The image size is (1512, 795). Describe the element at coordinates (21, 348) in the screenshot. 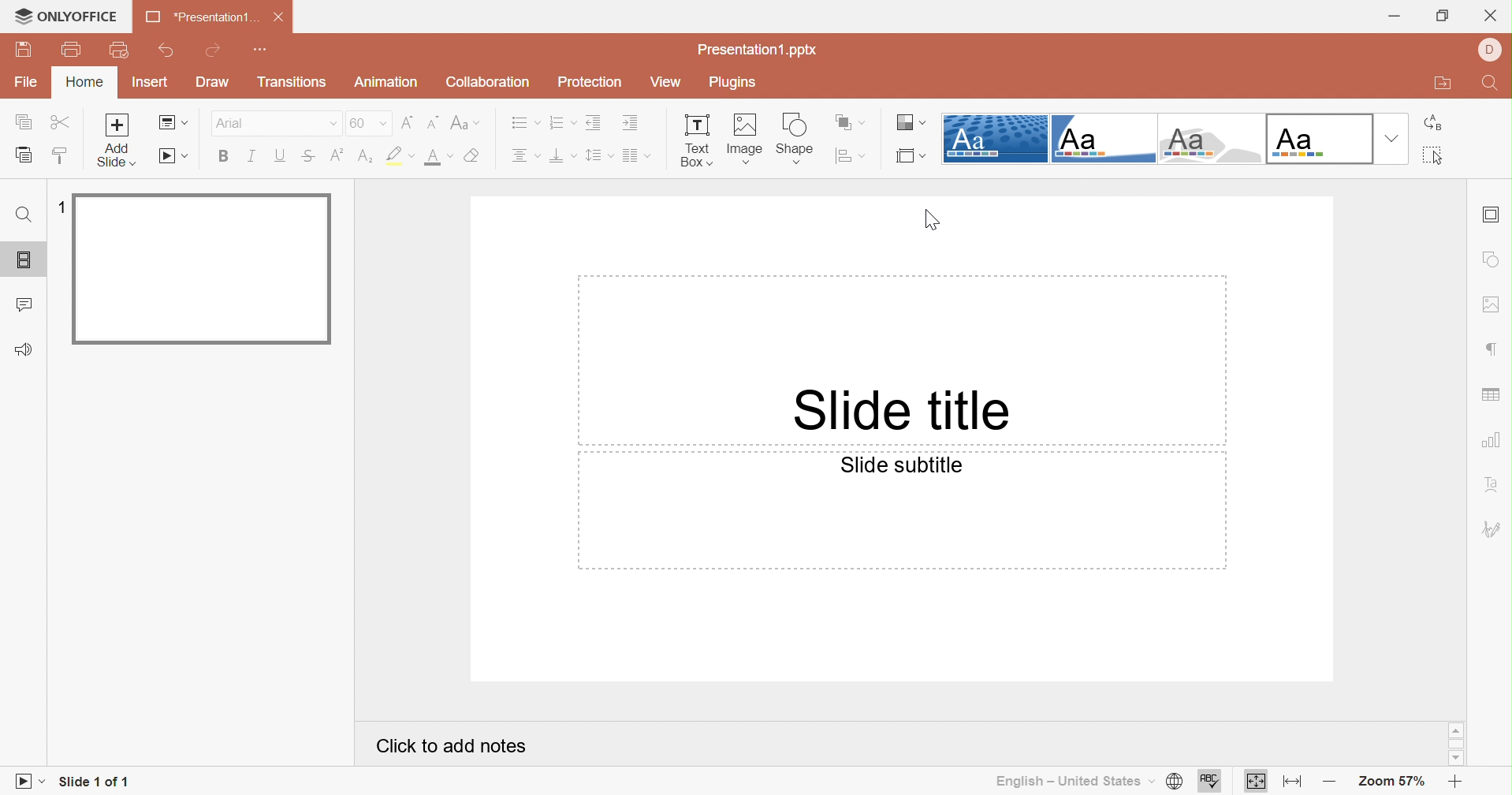

I see `Feedback & Support` at that location.